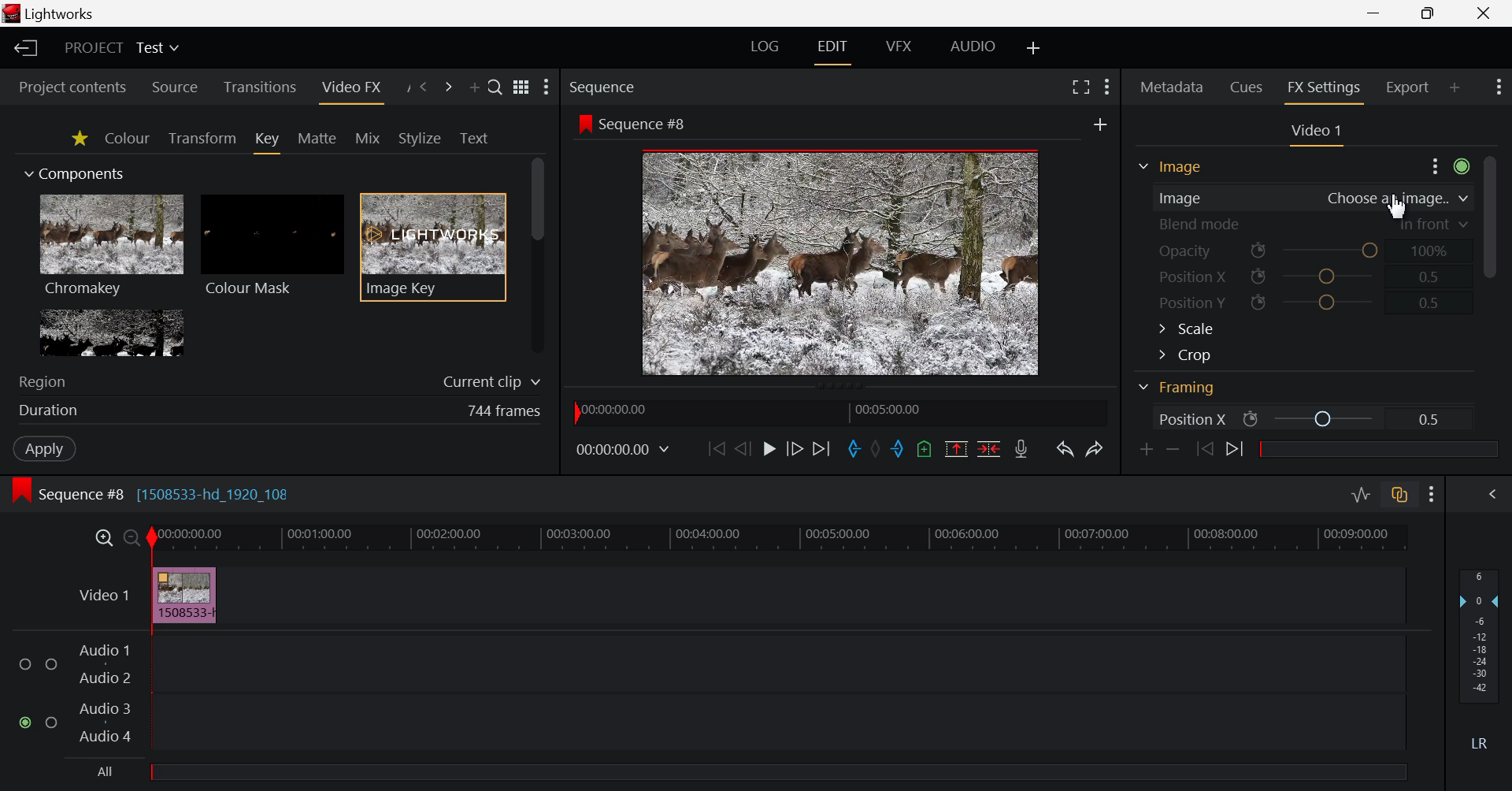  I want to click on To Start, so click(714, 445).